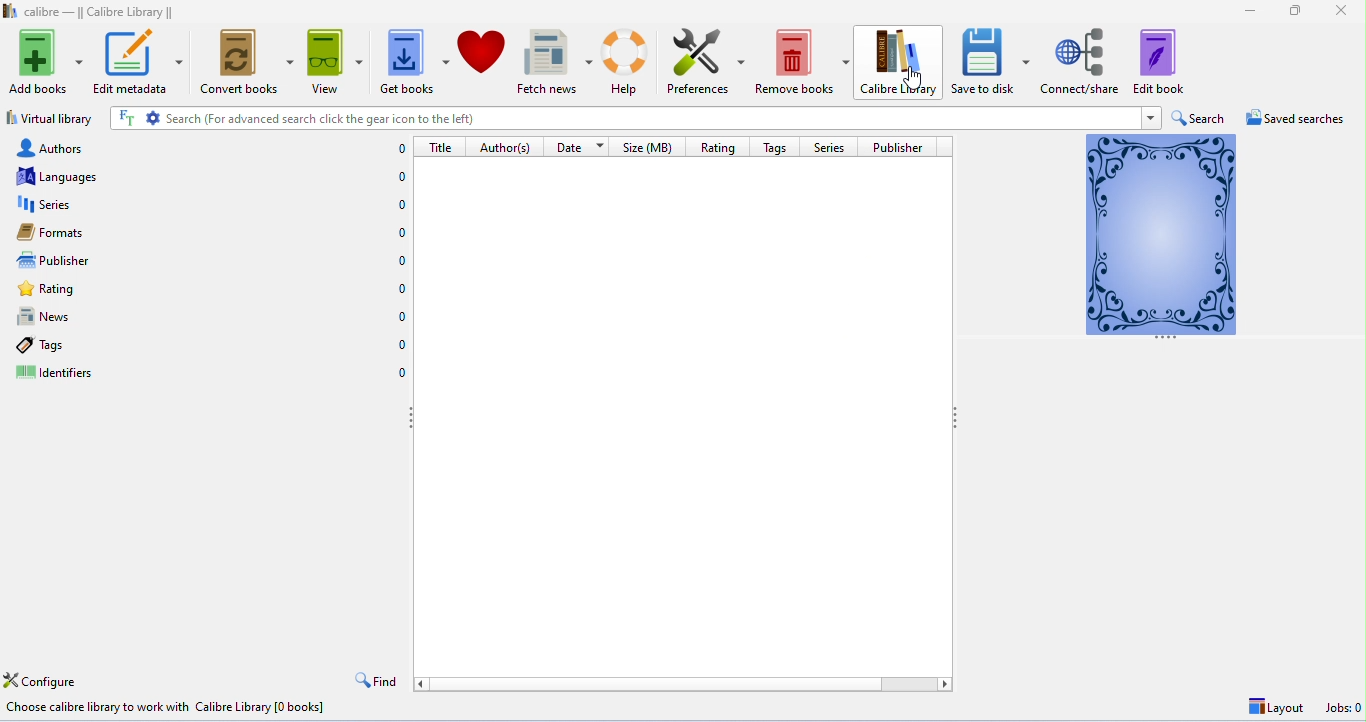 The image size is (1366, 722). What do you see at coordinates (1153, 117) in the screenshot?
I see `drop down` at bounding box center [1153, 117].